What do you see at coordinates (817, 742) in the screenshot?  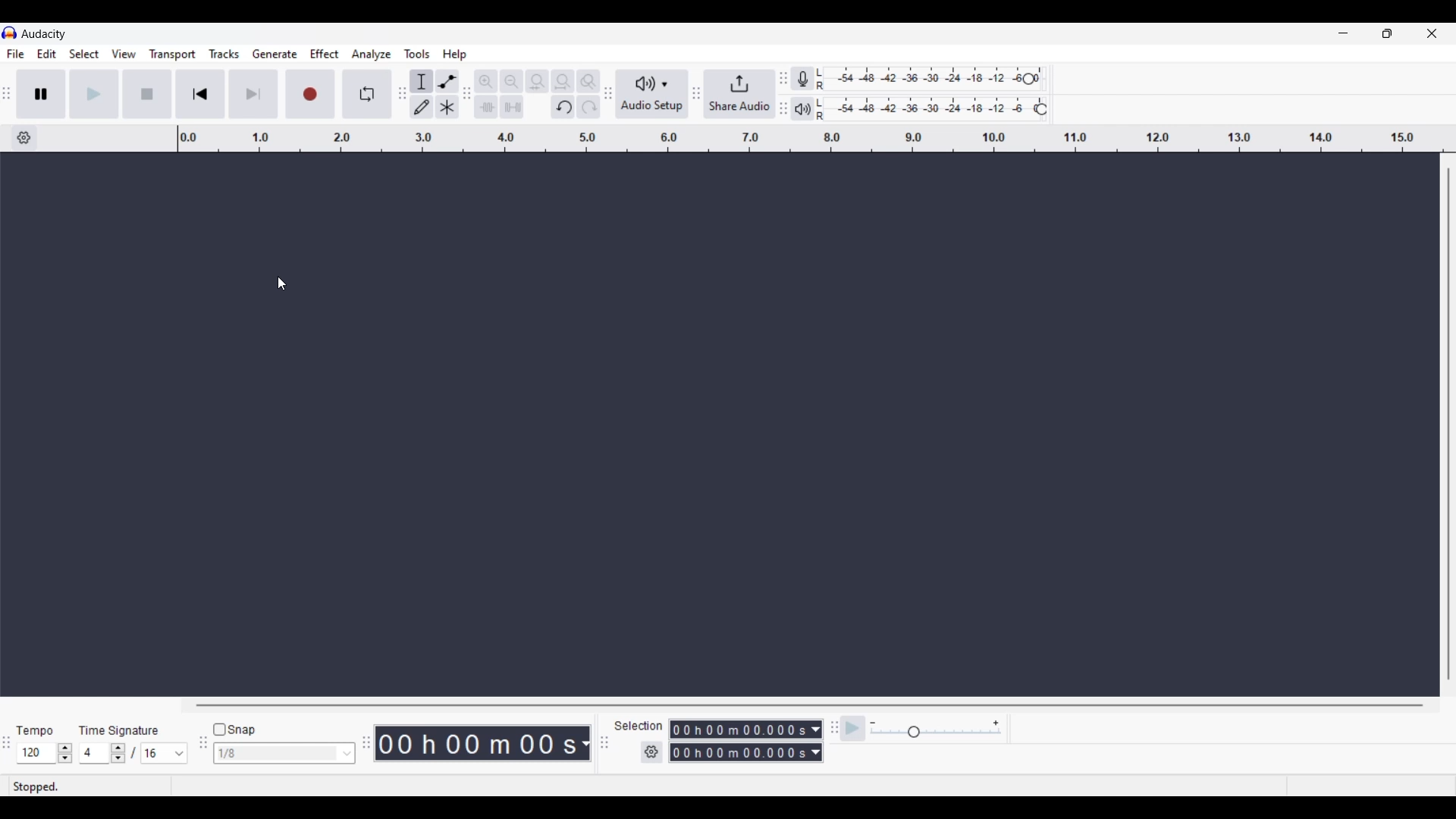 I see `Metric options to record duration` at bounding box center [817, 742].